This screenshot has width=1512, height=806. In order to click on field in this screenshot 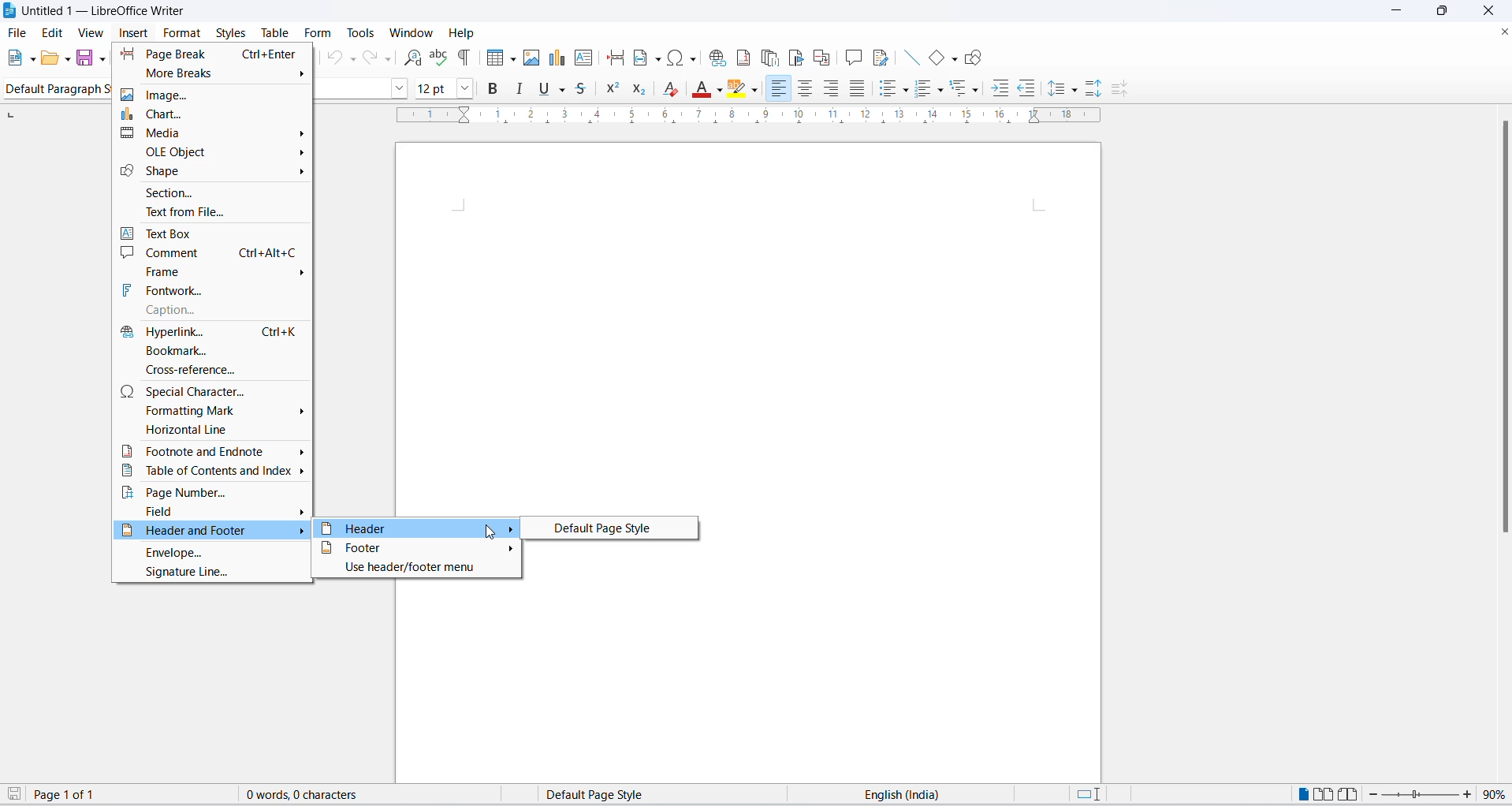, I will do `click(214, 512)`.